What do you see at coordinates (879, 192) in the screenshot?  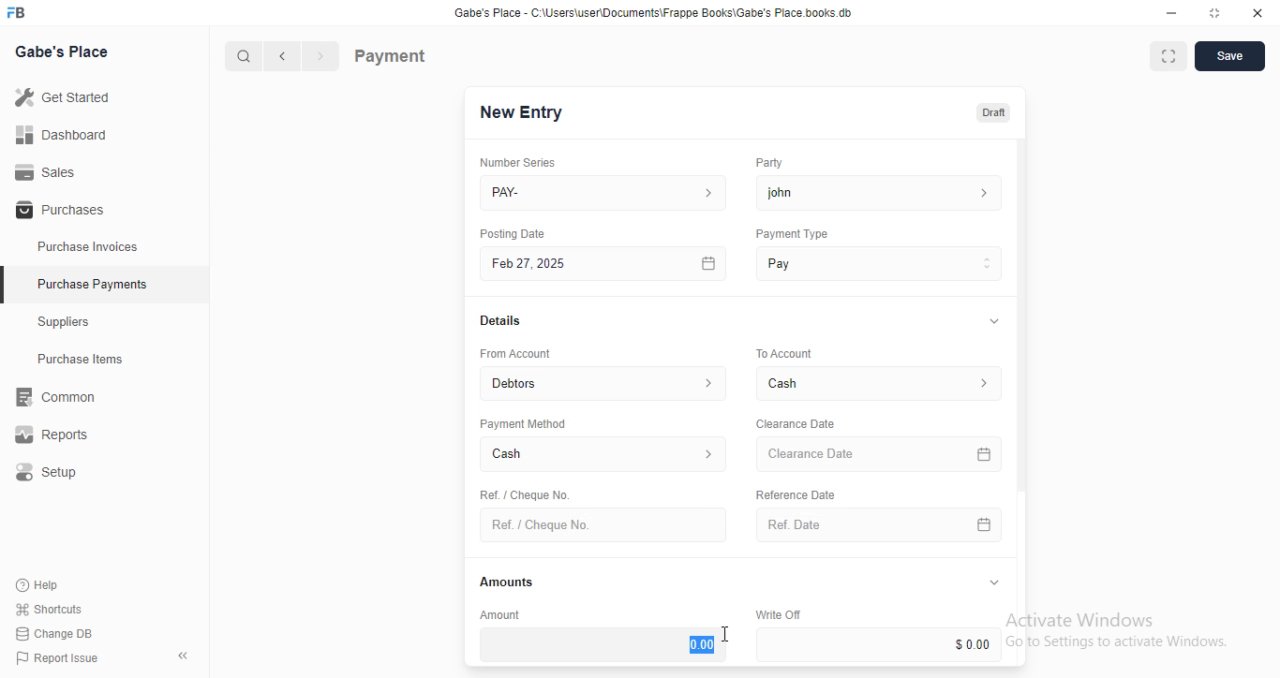 I see `john` at bounding box center [879, 192].